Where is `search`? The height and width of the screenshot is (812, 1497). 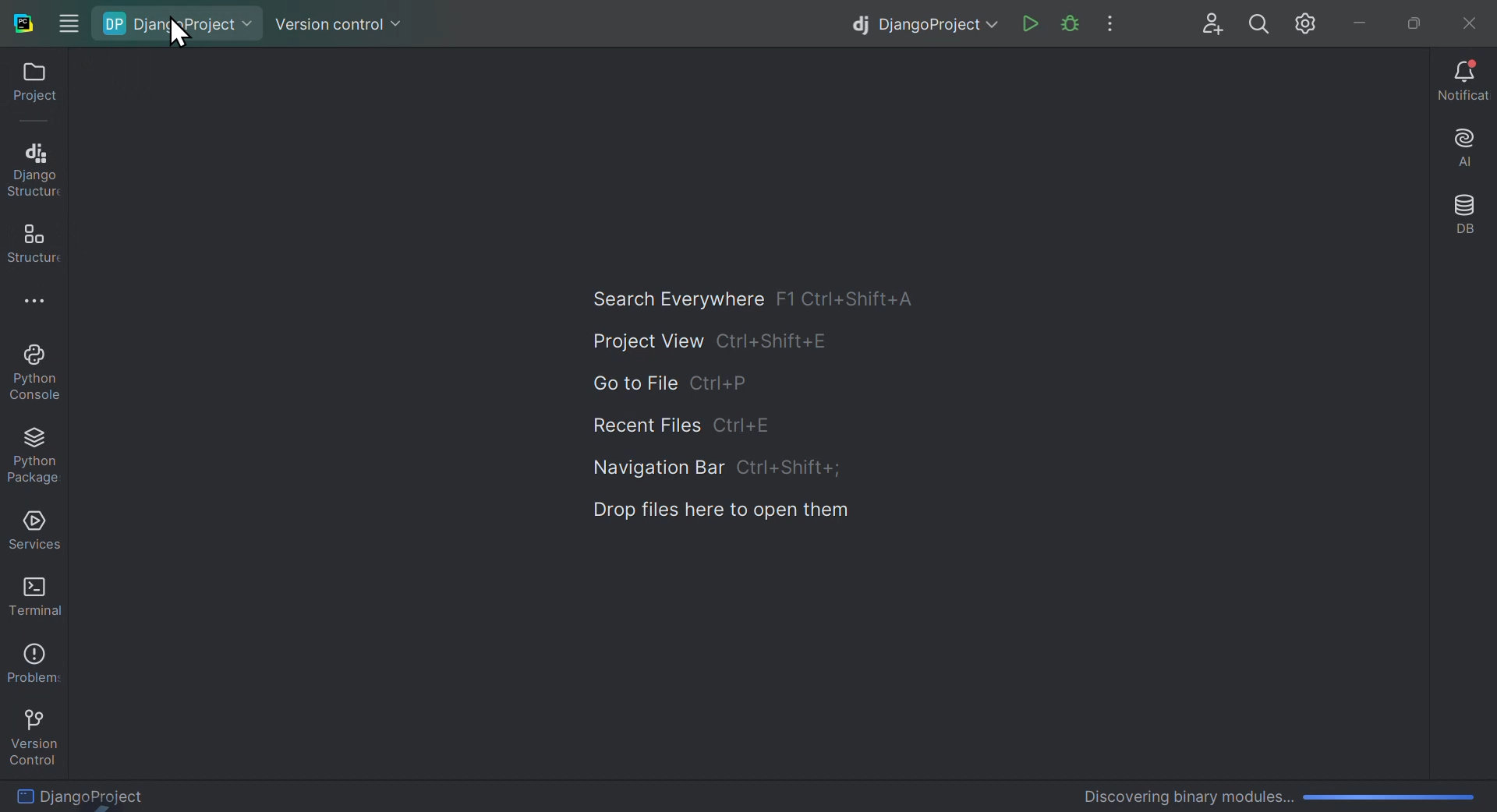
search is located at coordinates (1260, 24).